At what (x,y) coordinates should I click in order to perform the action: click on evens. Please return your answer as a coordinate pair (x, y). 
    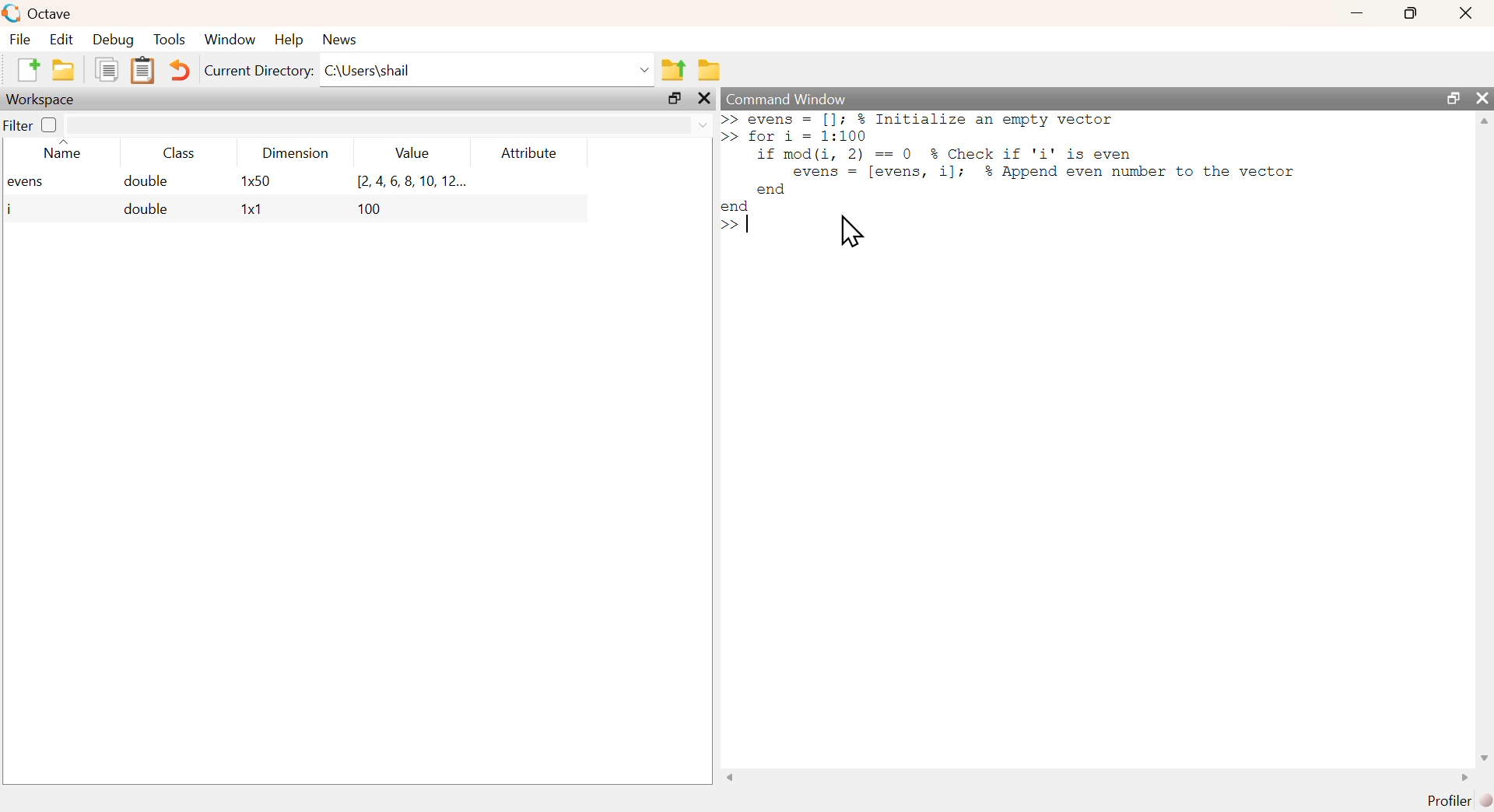
    Looking at the image, I should click on (32, 184).